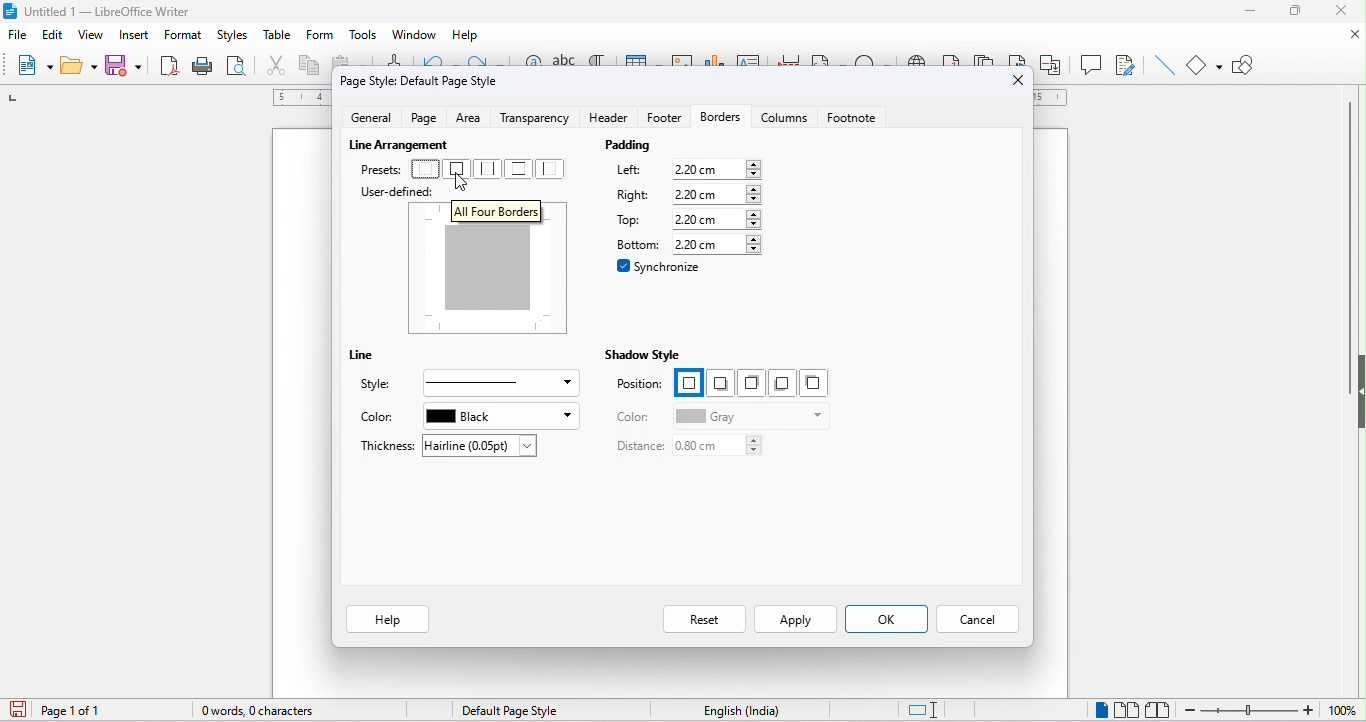 This screenshot has width=1366, height=722. I want to click on standard selection, so click(924, 707).